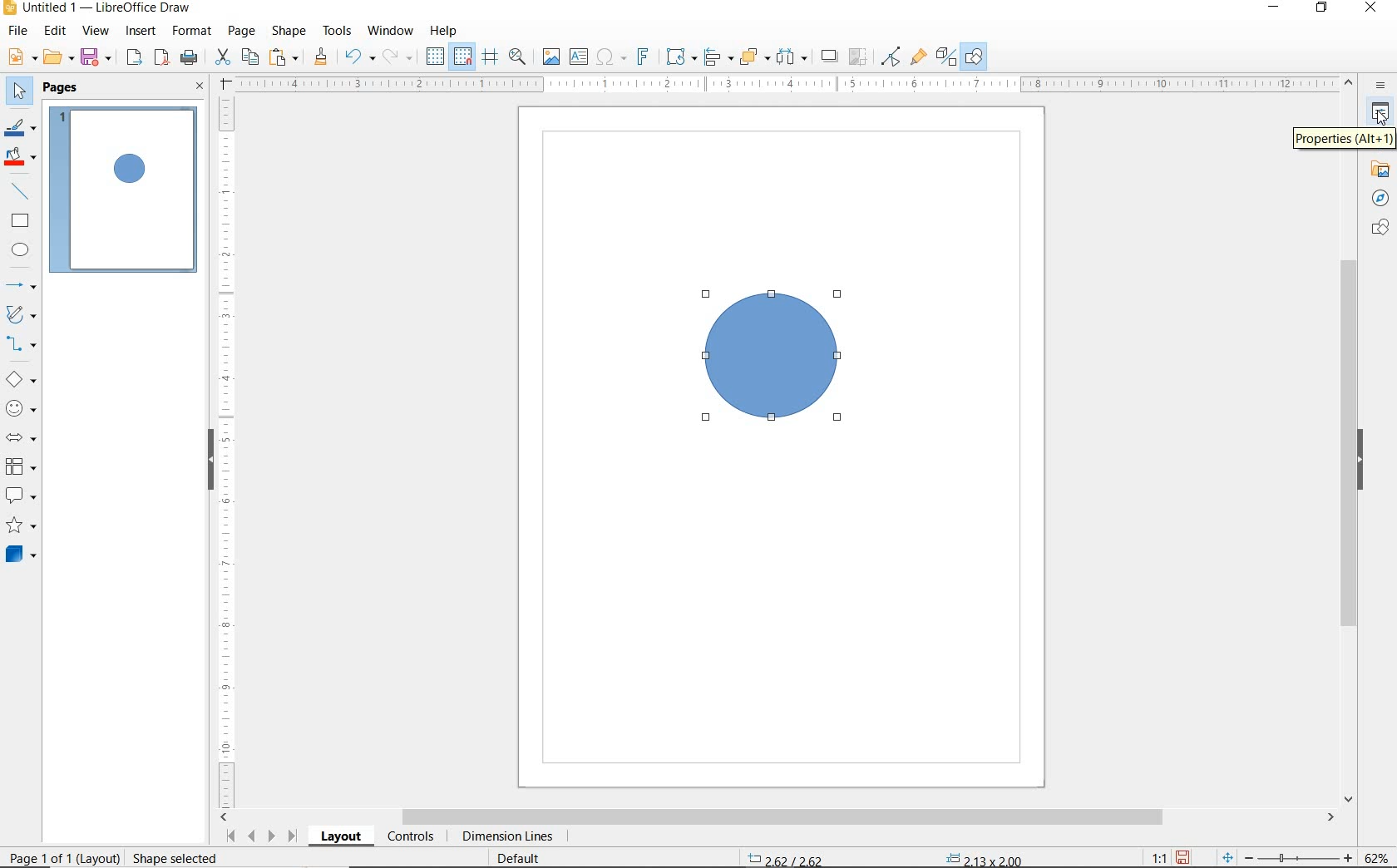  Describe the element at coordinates (1320, 9) in the screenshot. I see `RESTORE DOWN` at that location.